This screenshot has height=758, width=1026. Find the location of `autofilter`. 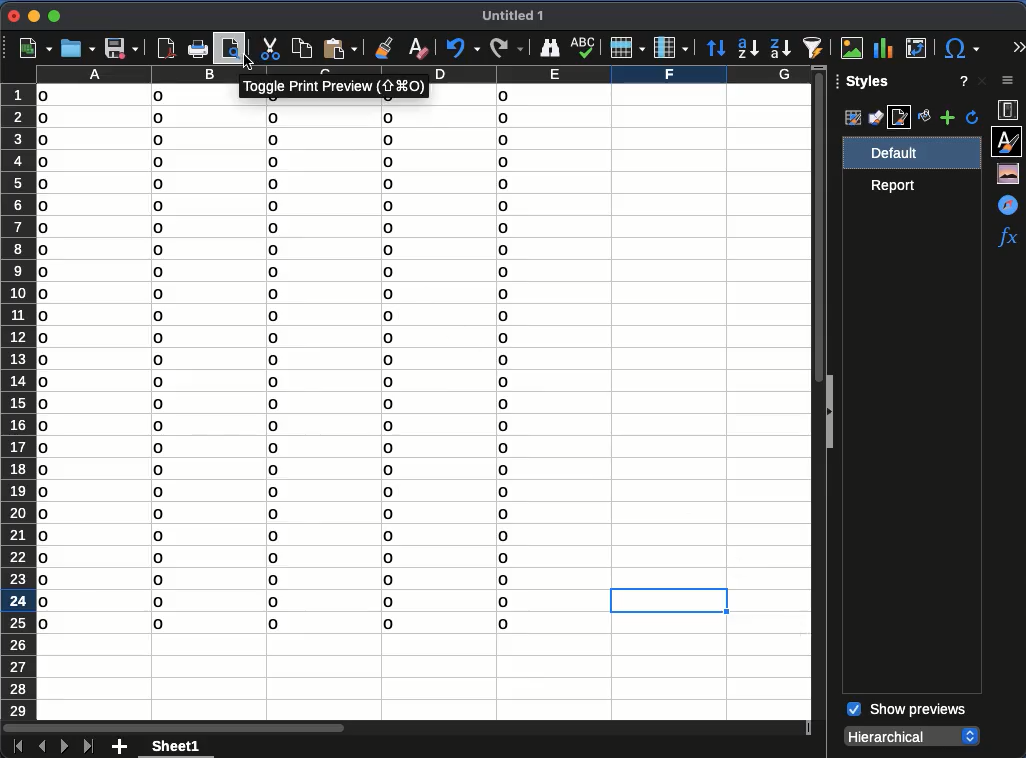

autofilter is located at coordinates (814, 46).